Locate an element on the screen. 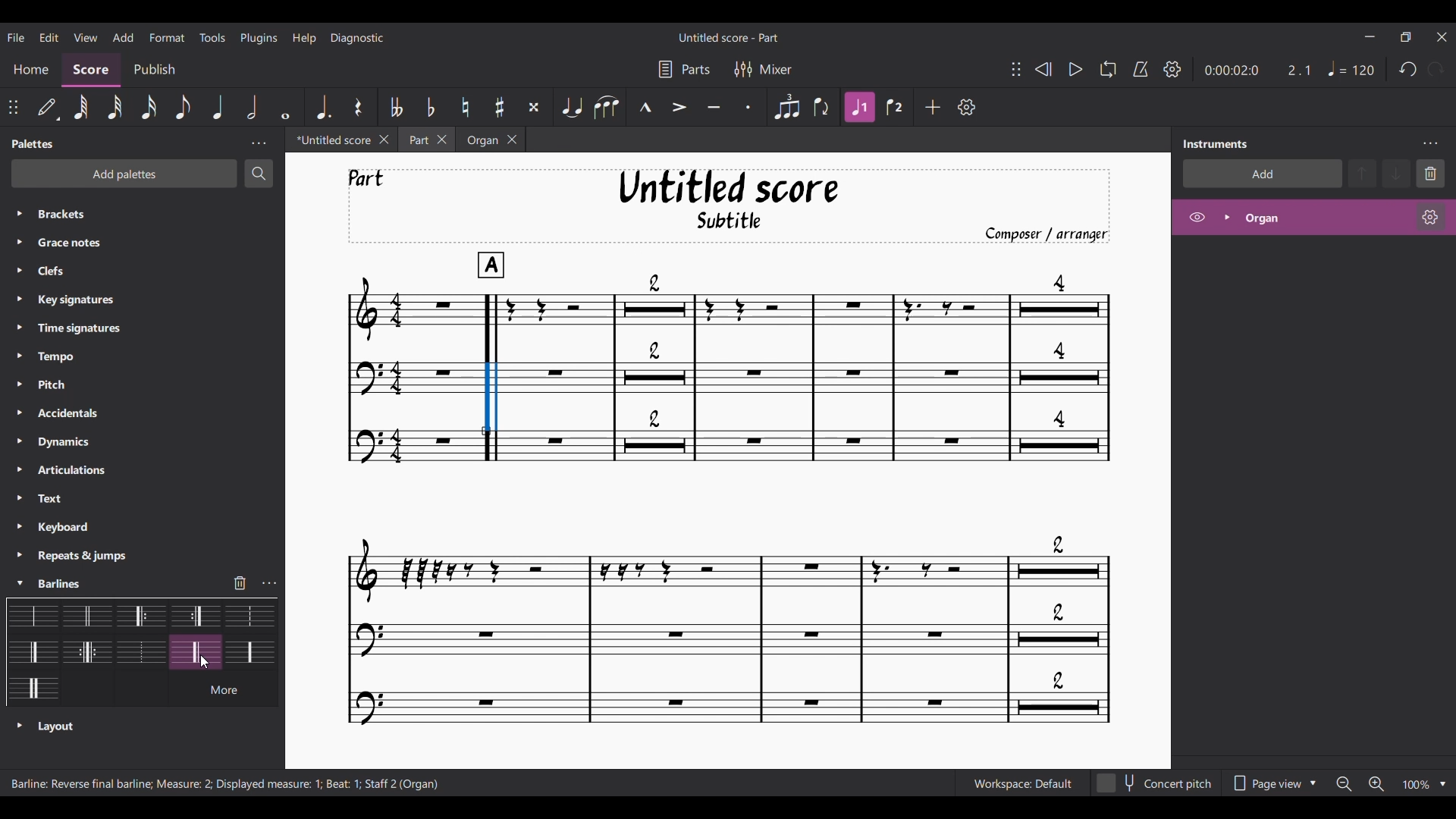 The width and height of the screenshot is (1456, 819). Rewind is located at coordinates (1043, 69).